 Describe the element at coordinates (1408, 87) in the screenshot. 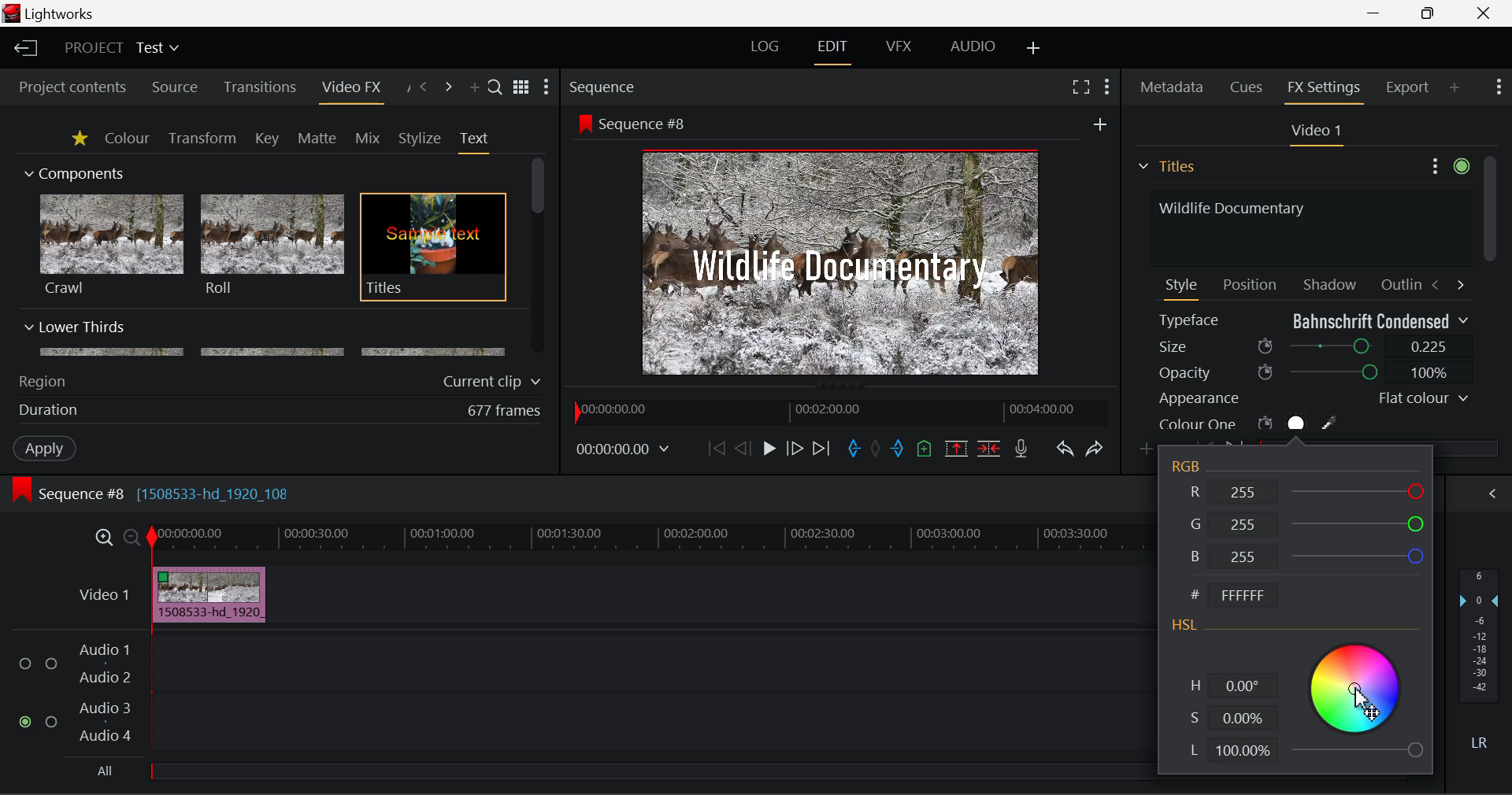

I see `Export` at that location.